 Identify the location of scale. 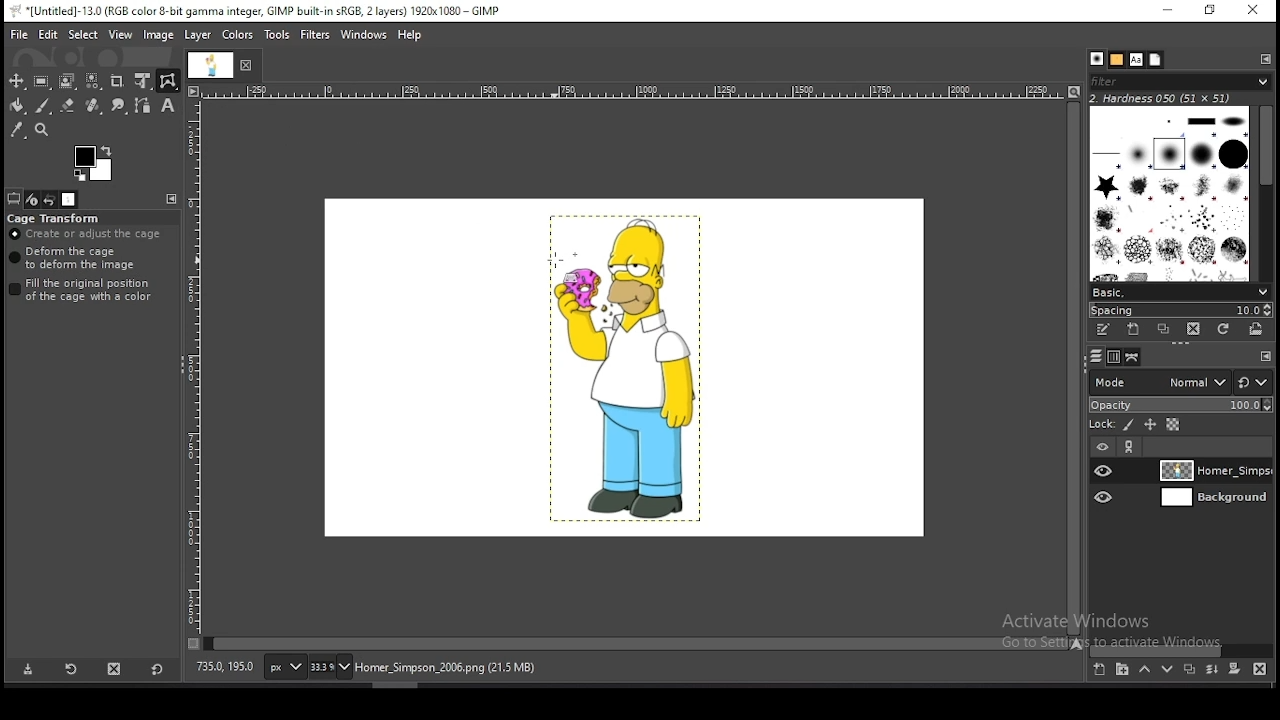
(193, 372).